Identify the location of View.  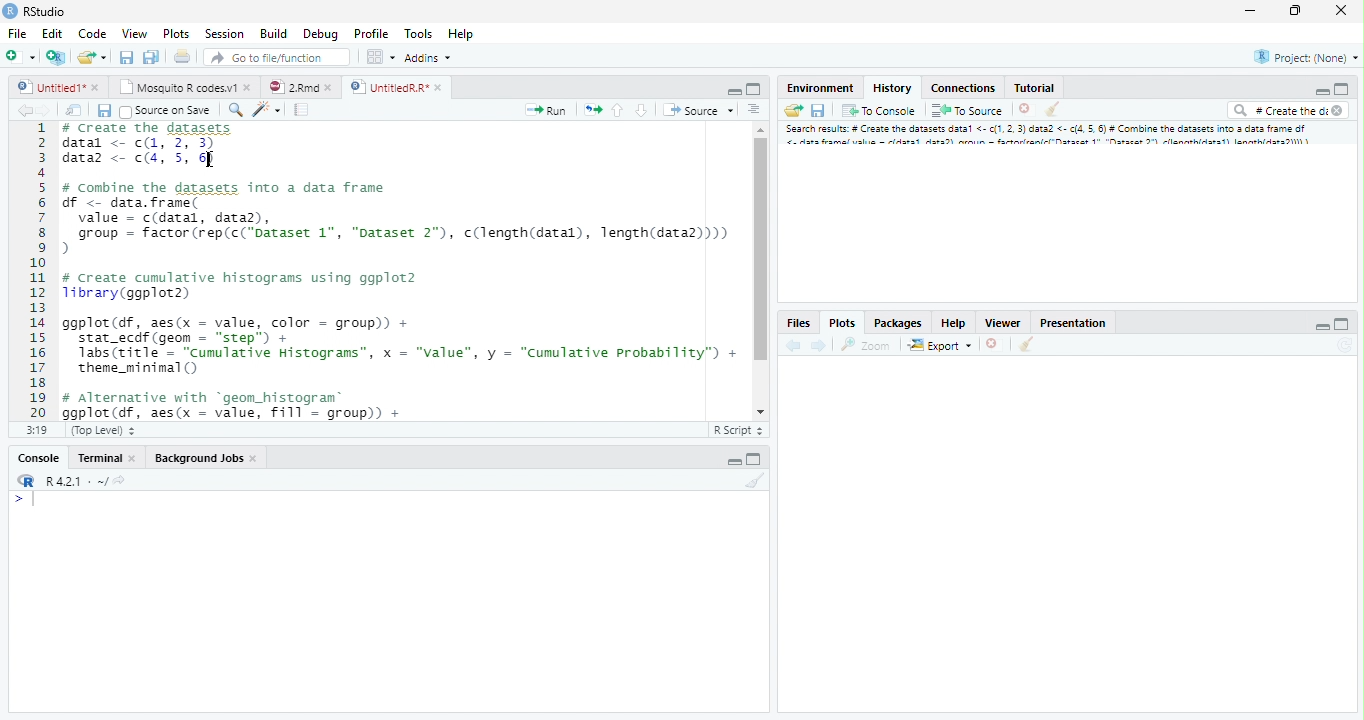
(133, 35).